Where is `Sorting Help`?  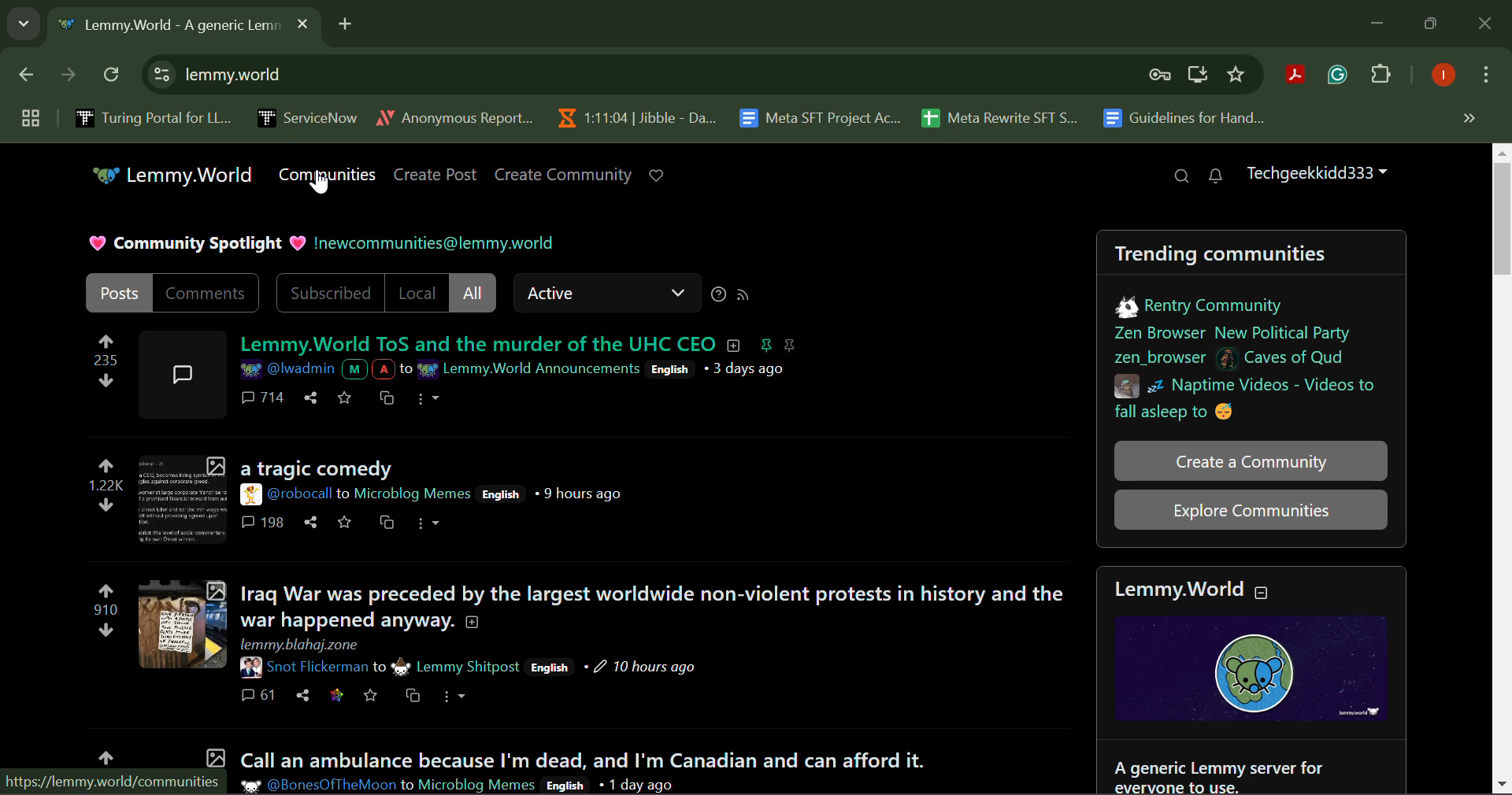 Sorting Help is located at coordinates (718, 294).